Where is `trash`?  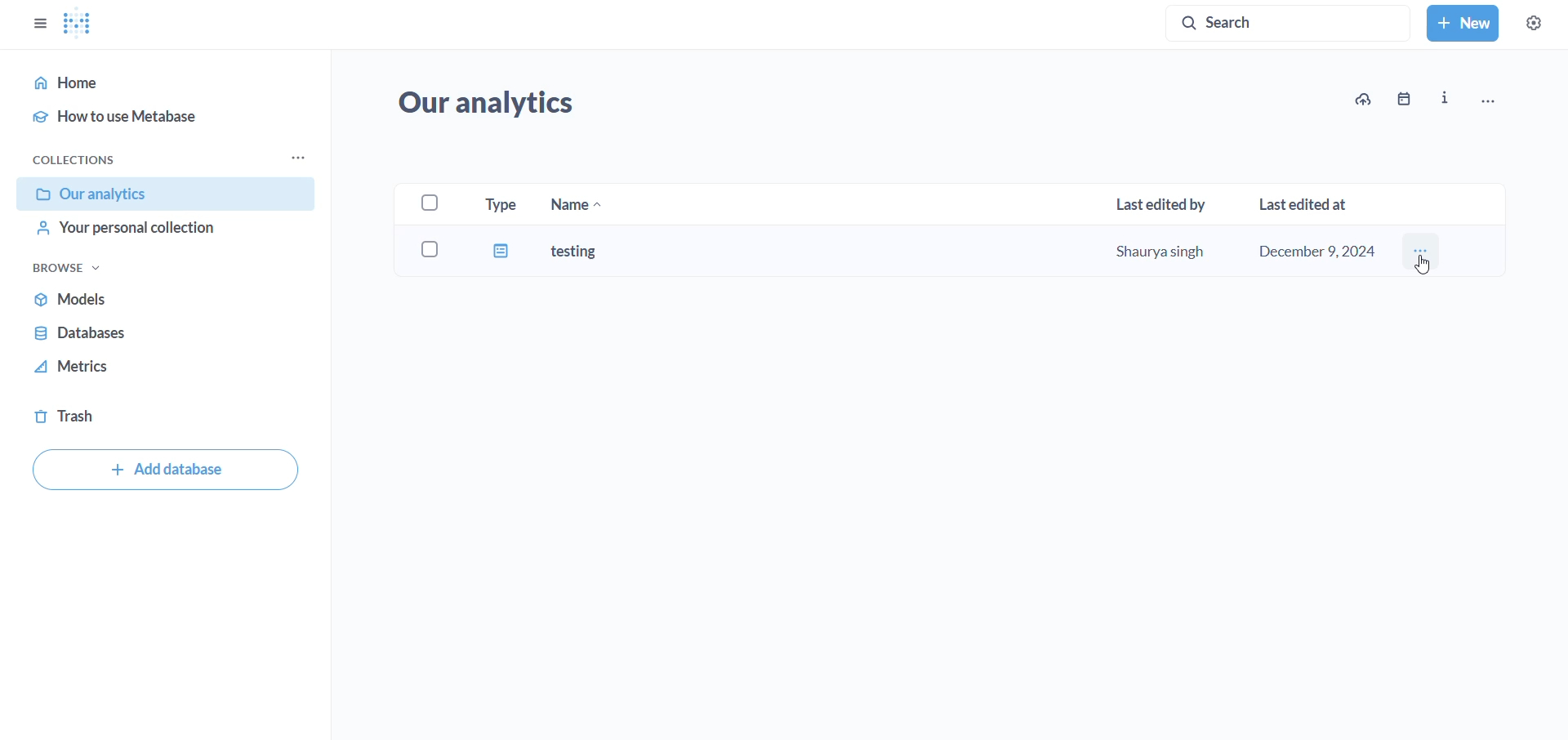 trash is located at coordinates (129, 413).